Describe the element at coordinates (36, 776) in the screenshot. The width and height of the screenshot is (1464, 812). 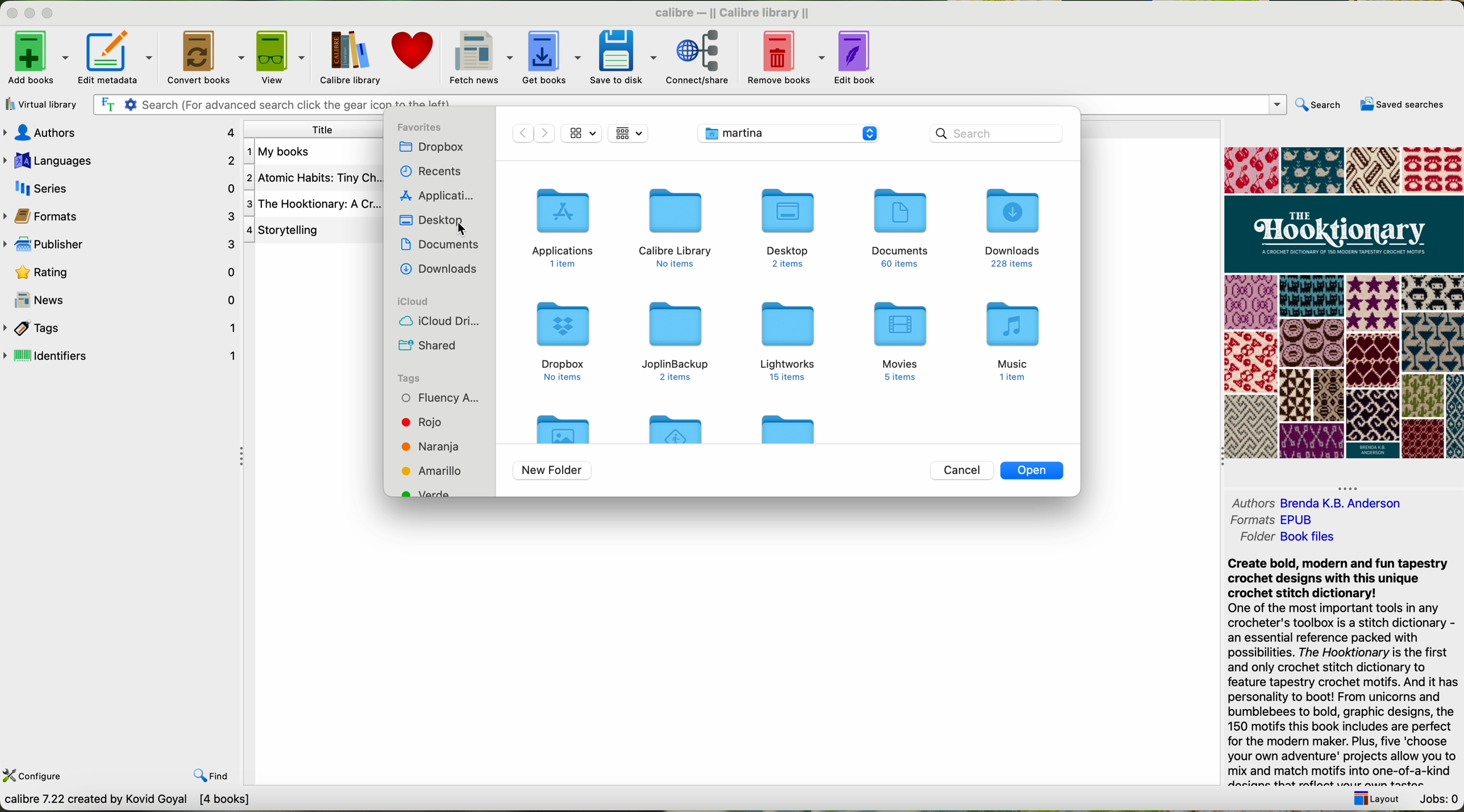
I see `configure` at that location.